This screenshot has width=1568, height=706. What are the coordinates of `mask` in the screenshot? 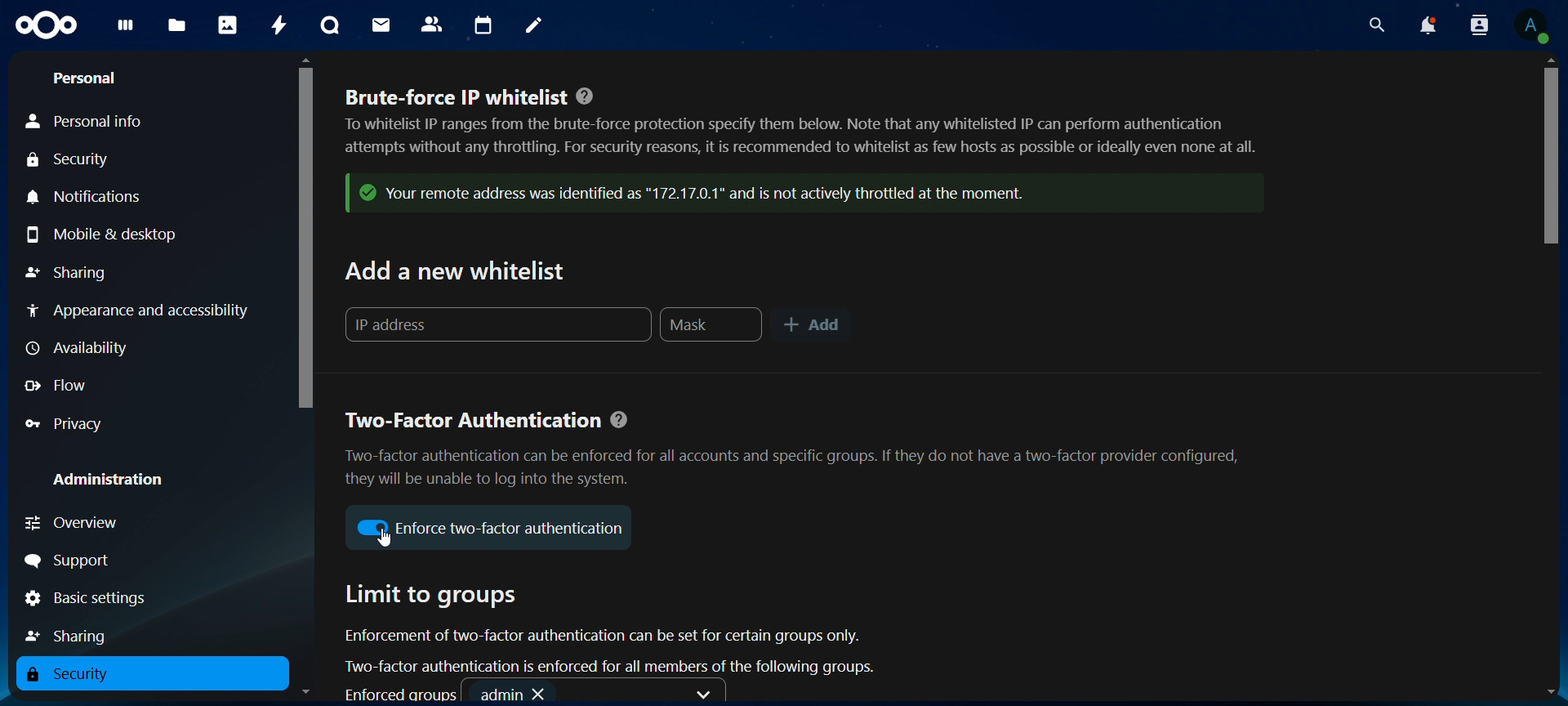 It's located at (711, 326).